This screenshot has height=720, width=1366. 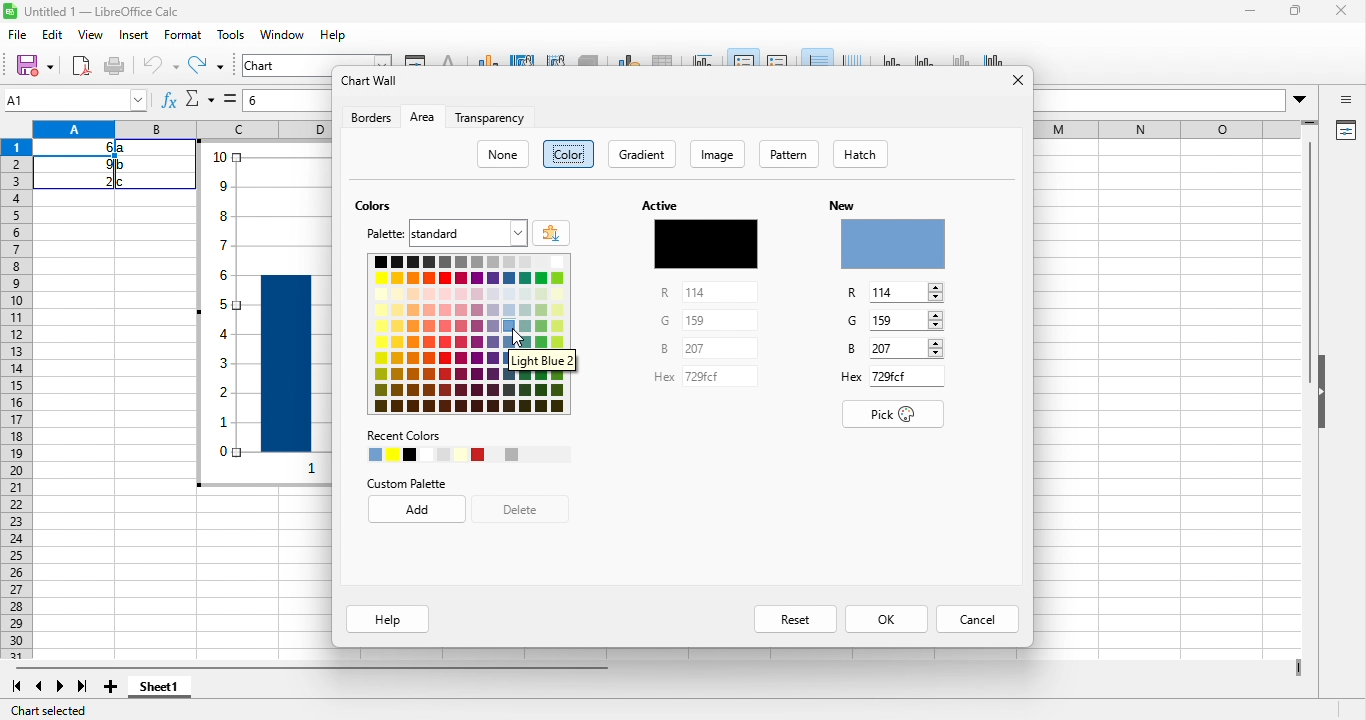 What do you see at coordinates (793, 618) in the screenshot?
I see `reset` at bounding box center [793, 618].